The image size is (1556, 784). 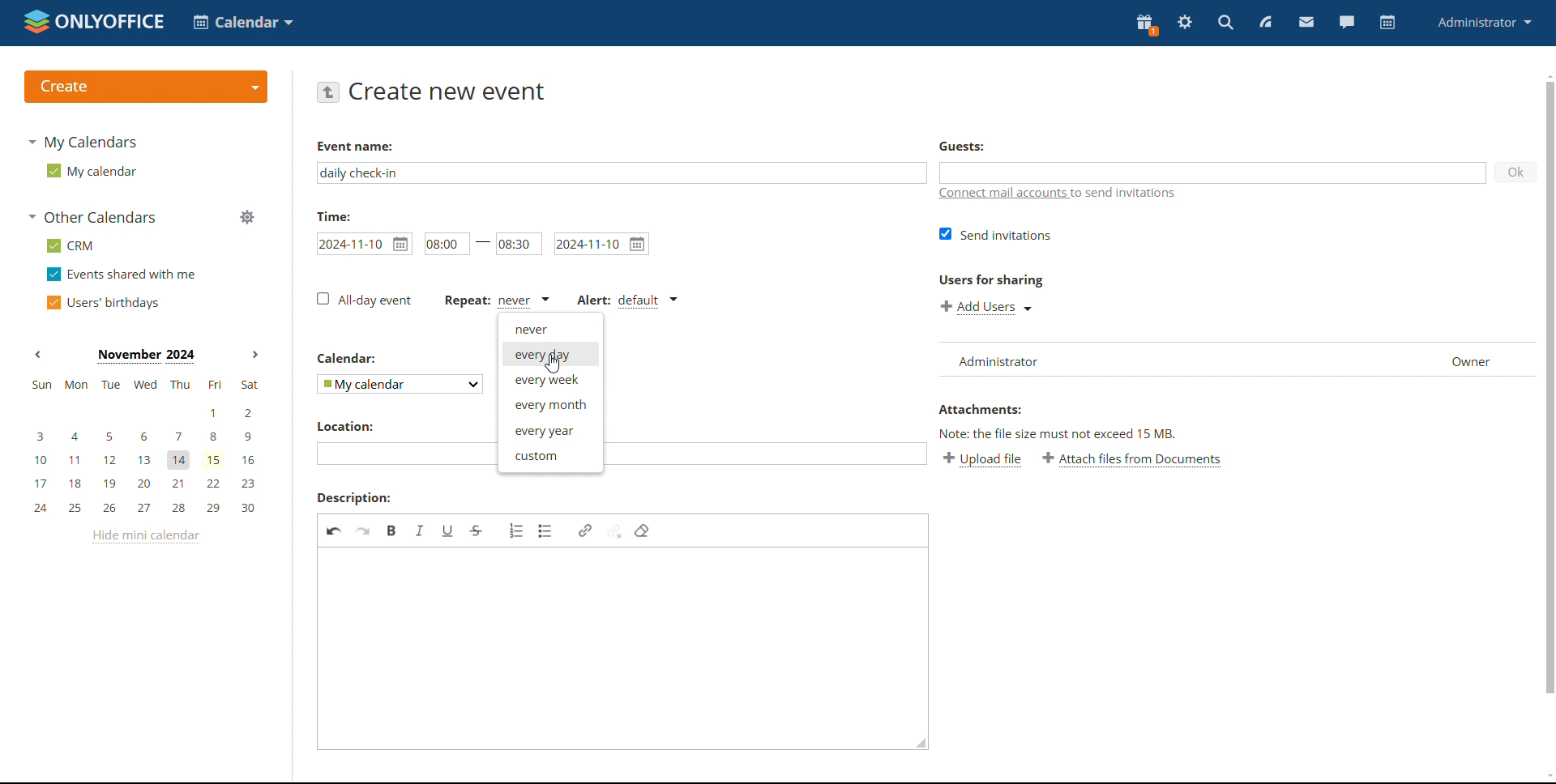 What do you see at coordinates (143, 537) in the screenshot?
I see `hide mini calendar` at bounding box center [143, 537].